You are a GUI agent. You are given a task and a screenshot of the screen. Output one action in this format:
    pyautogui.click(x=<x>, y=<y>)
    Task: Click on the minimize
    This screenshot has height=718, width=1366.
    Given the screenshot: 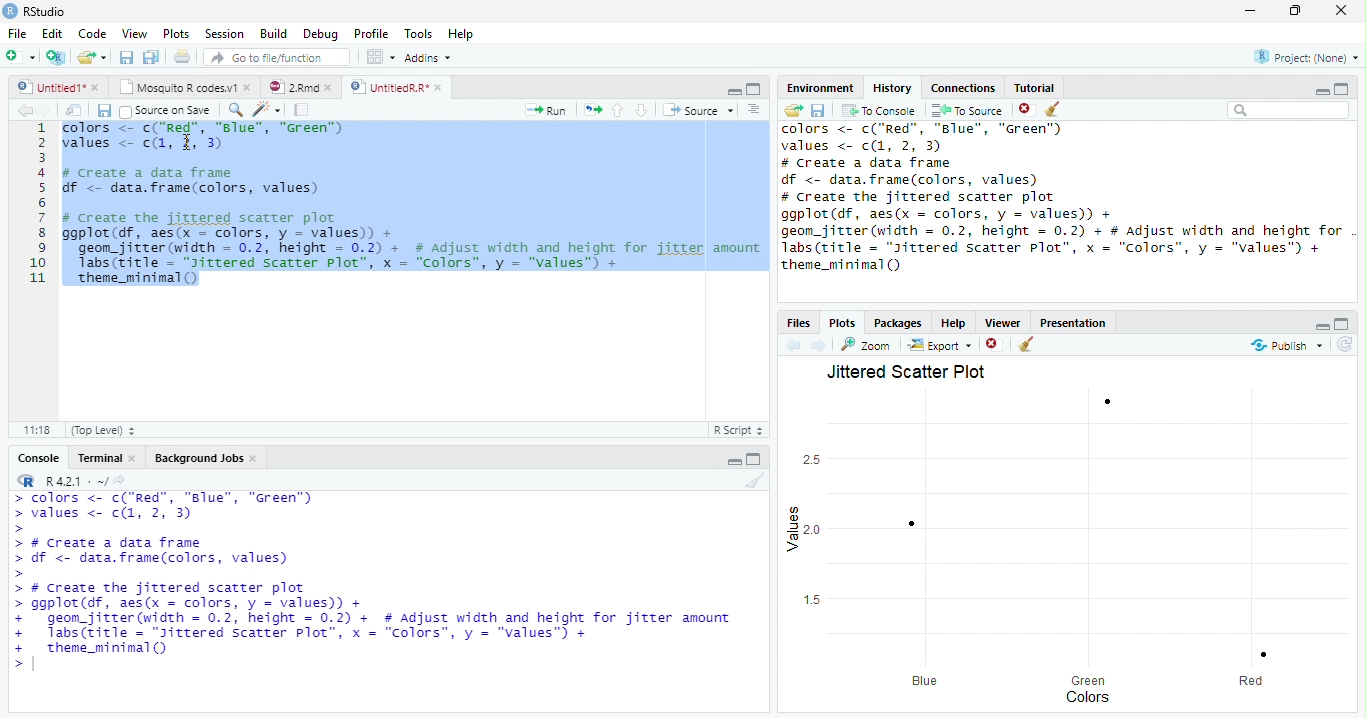 What is the action you would take?
    pyautogui.click(x=1251, y=10)
    